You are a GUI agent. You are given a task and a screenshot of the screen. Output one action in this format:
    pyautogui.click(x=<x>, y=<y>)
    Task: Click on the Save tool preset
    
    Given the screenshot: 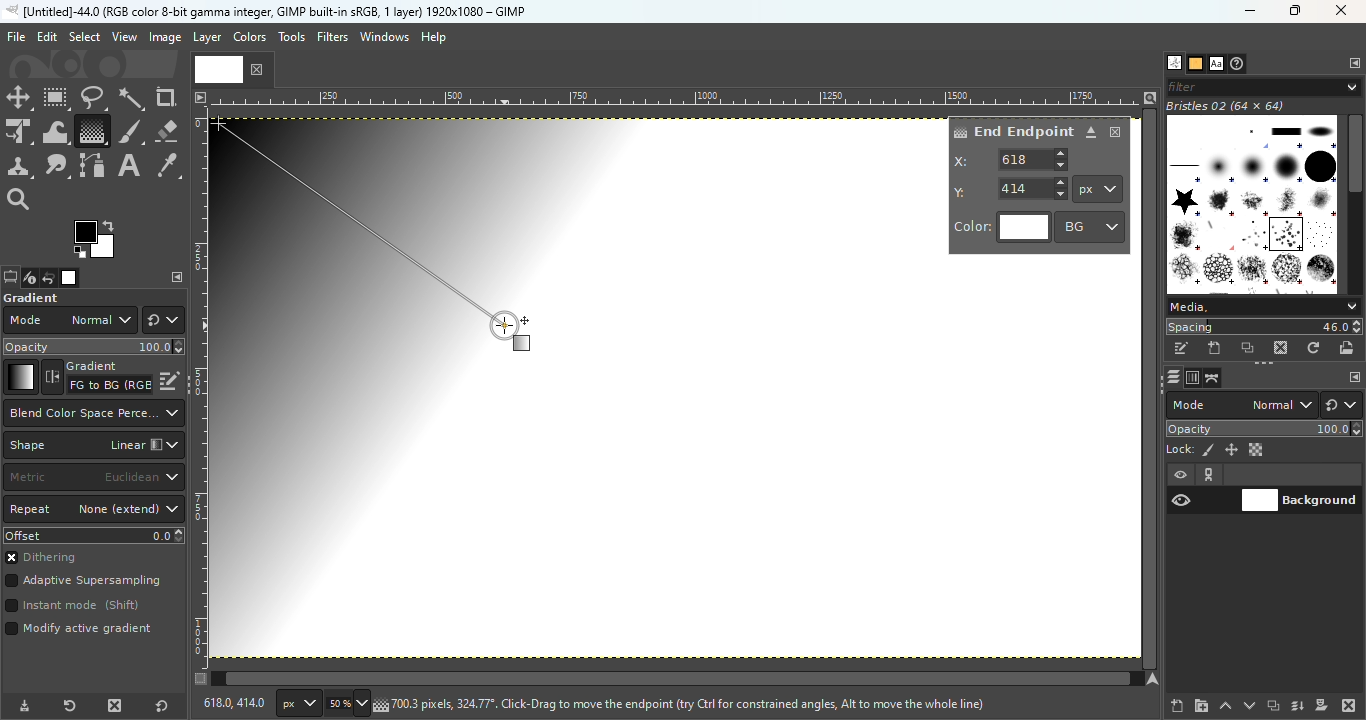 What is the action you would take?
    pyautogui.click(x=22, y=707)
    